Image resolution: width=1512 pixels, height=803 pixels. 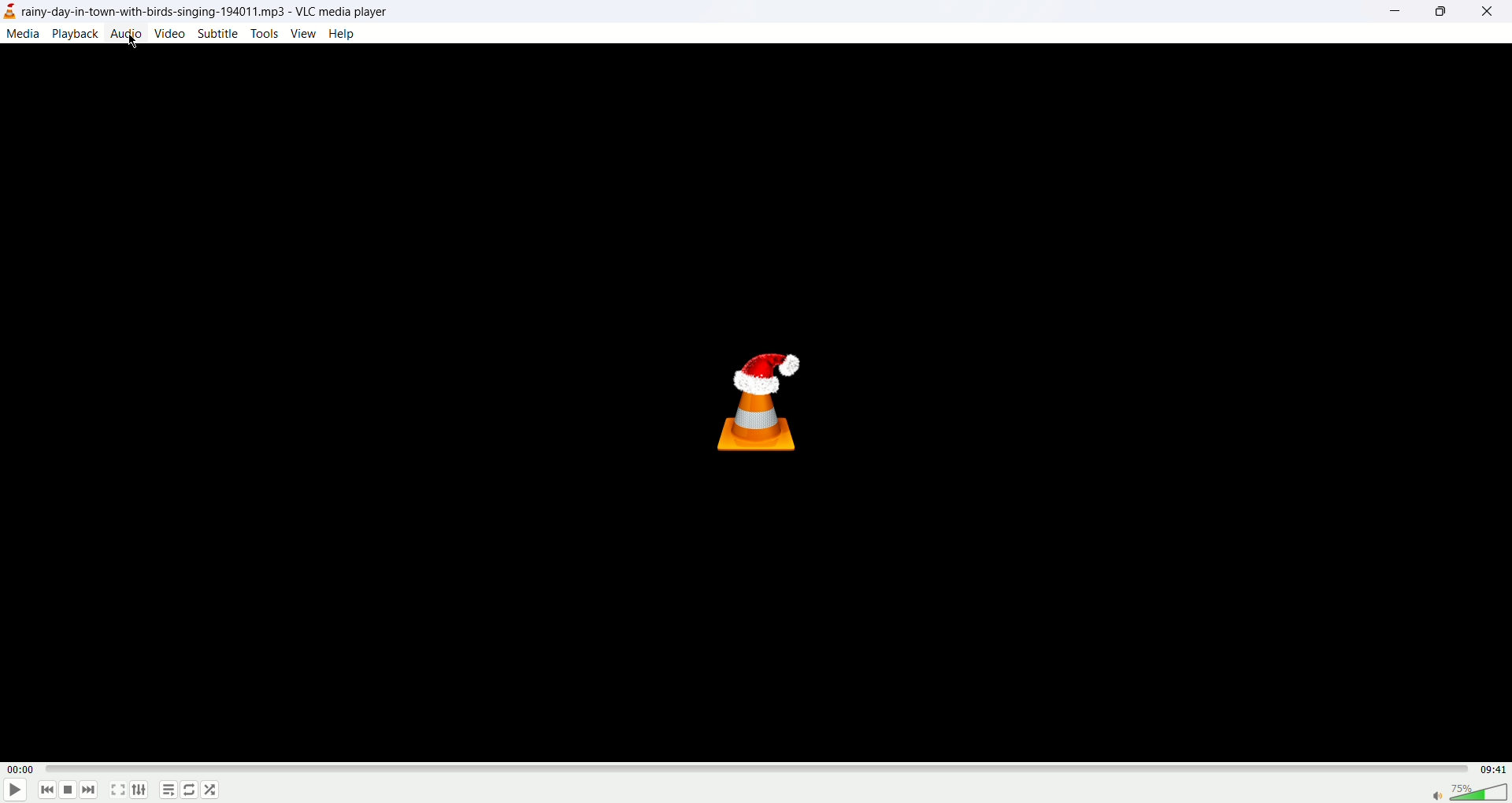 I want to click on full screen, so click(x=119, y=791).